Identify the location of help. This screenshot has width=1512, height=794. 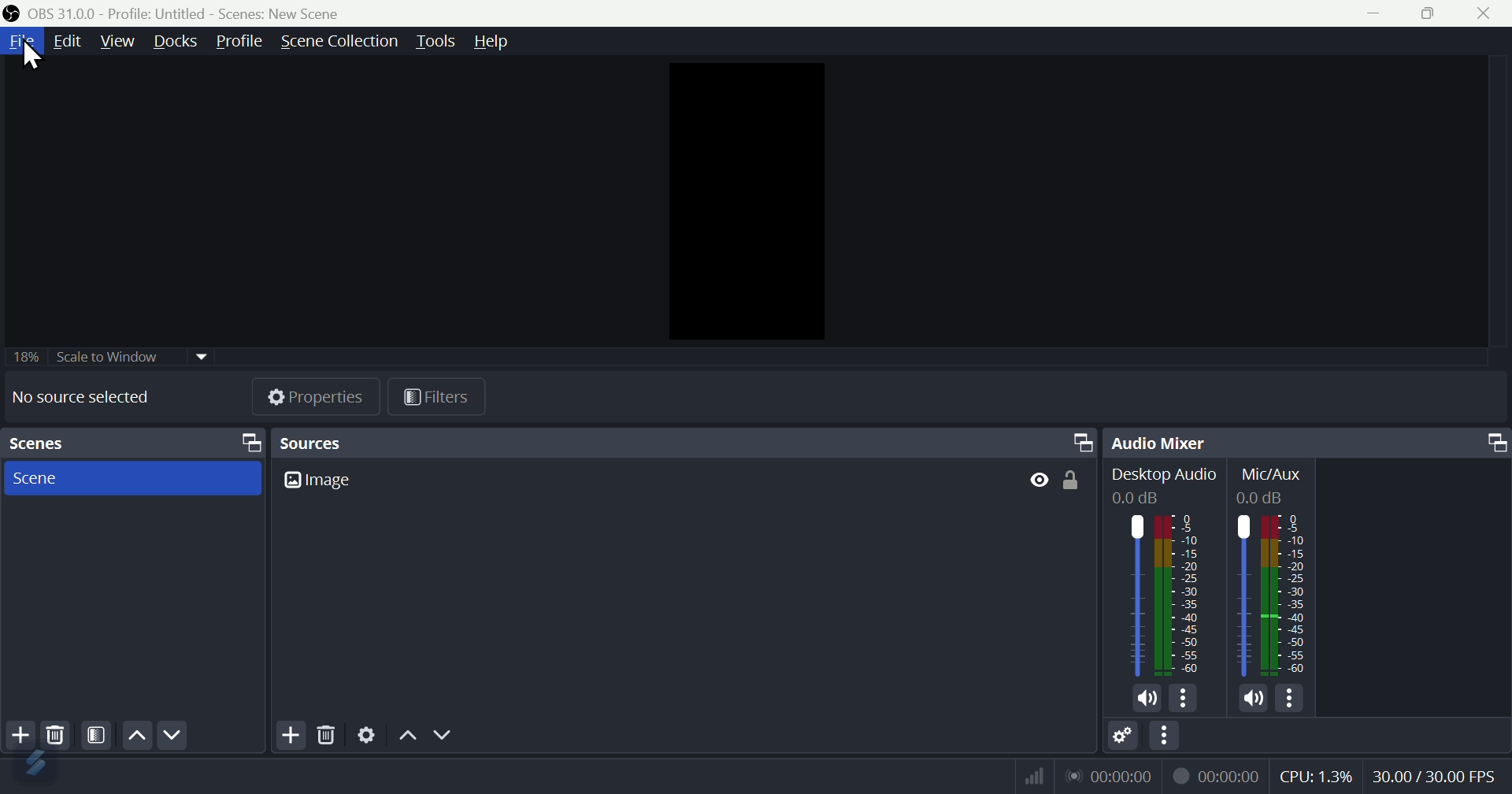
(495, 42).